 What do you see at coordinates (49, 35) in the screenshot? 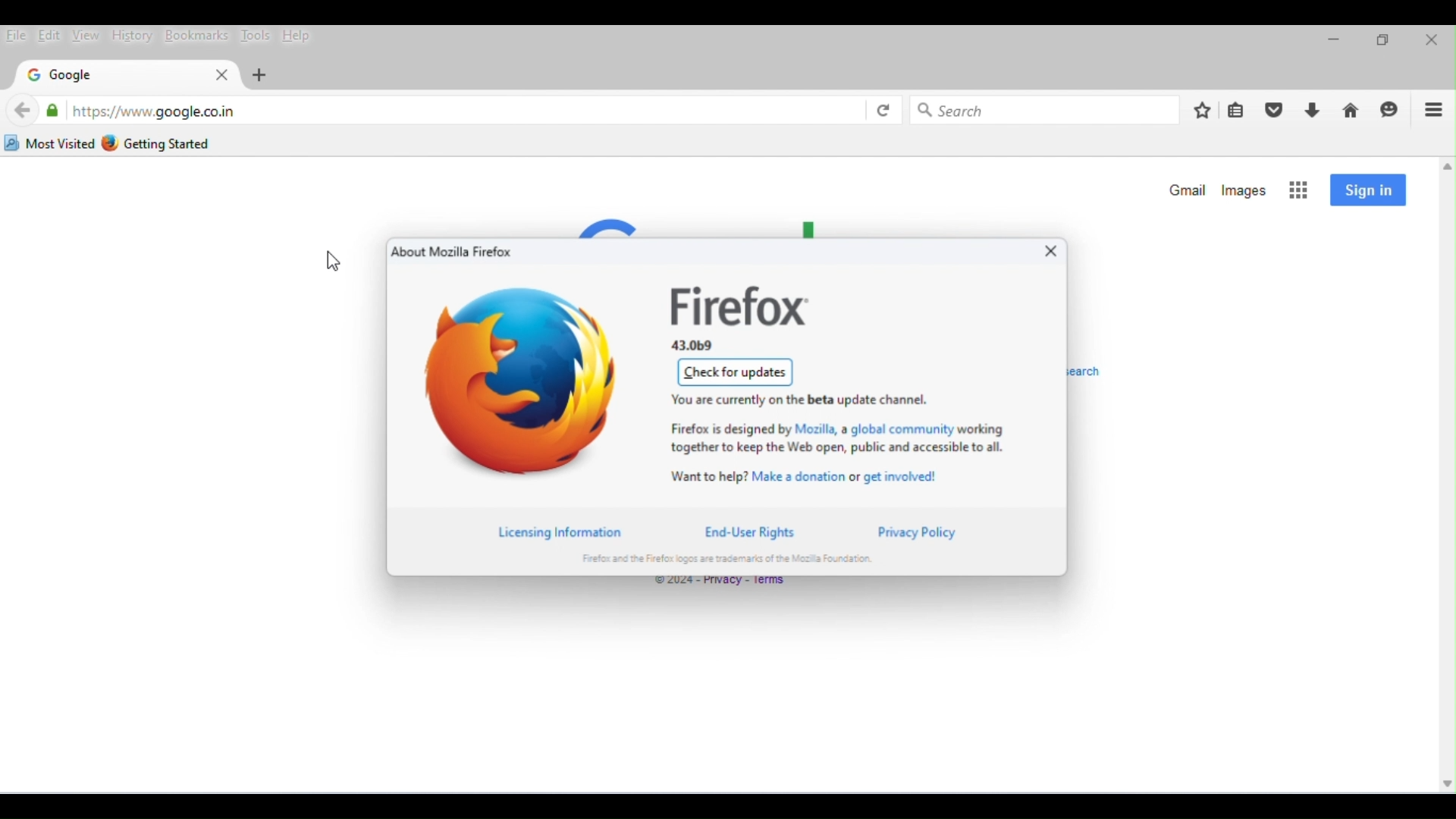
I see `edit` at bounding box center [49, 35].